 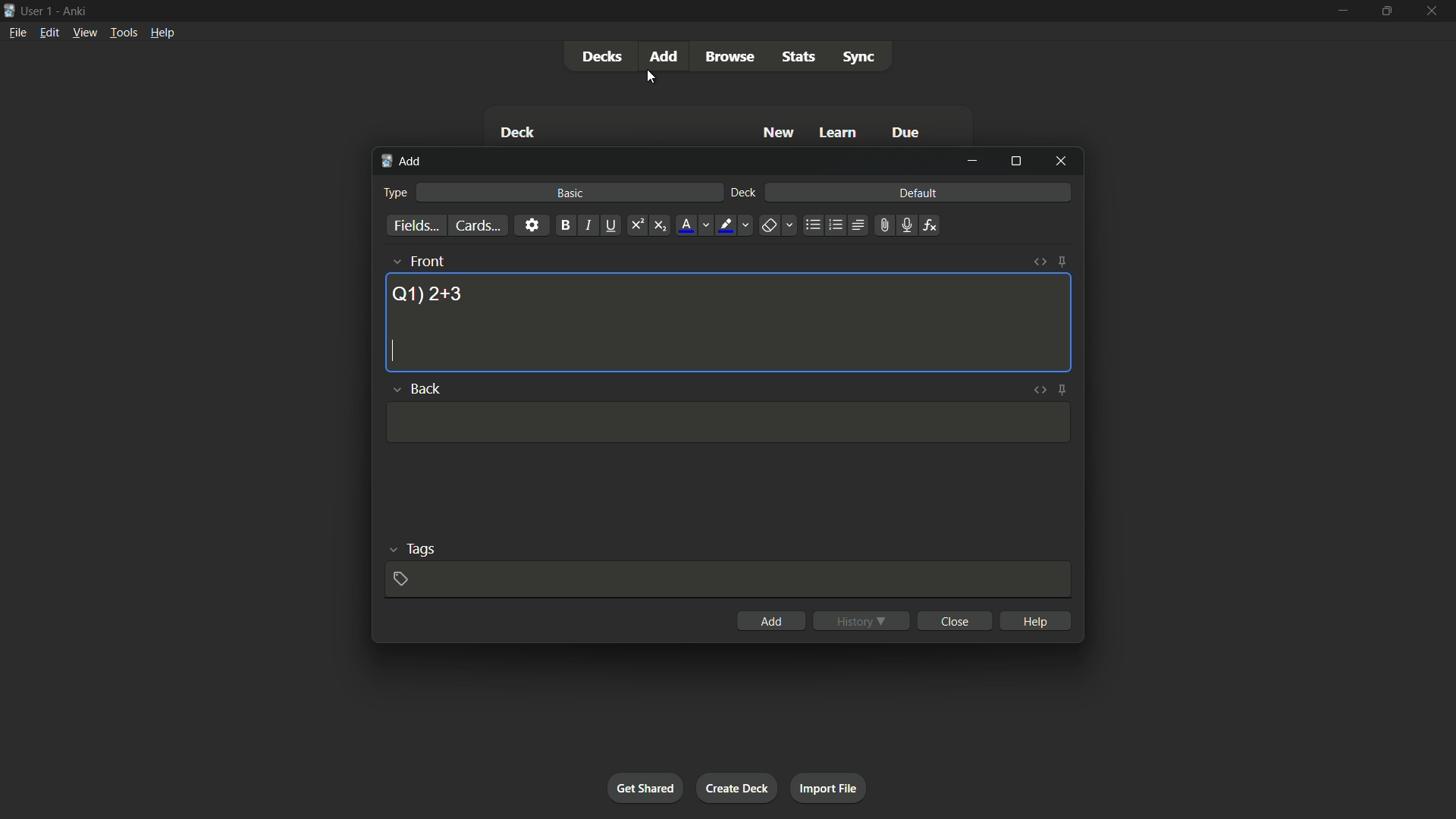 What do you see at coordinates (883, 225) in the screenshot?
I see `attach file` at bounding box center [883, 225].